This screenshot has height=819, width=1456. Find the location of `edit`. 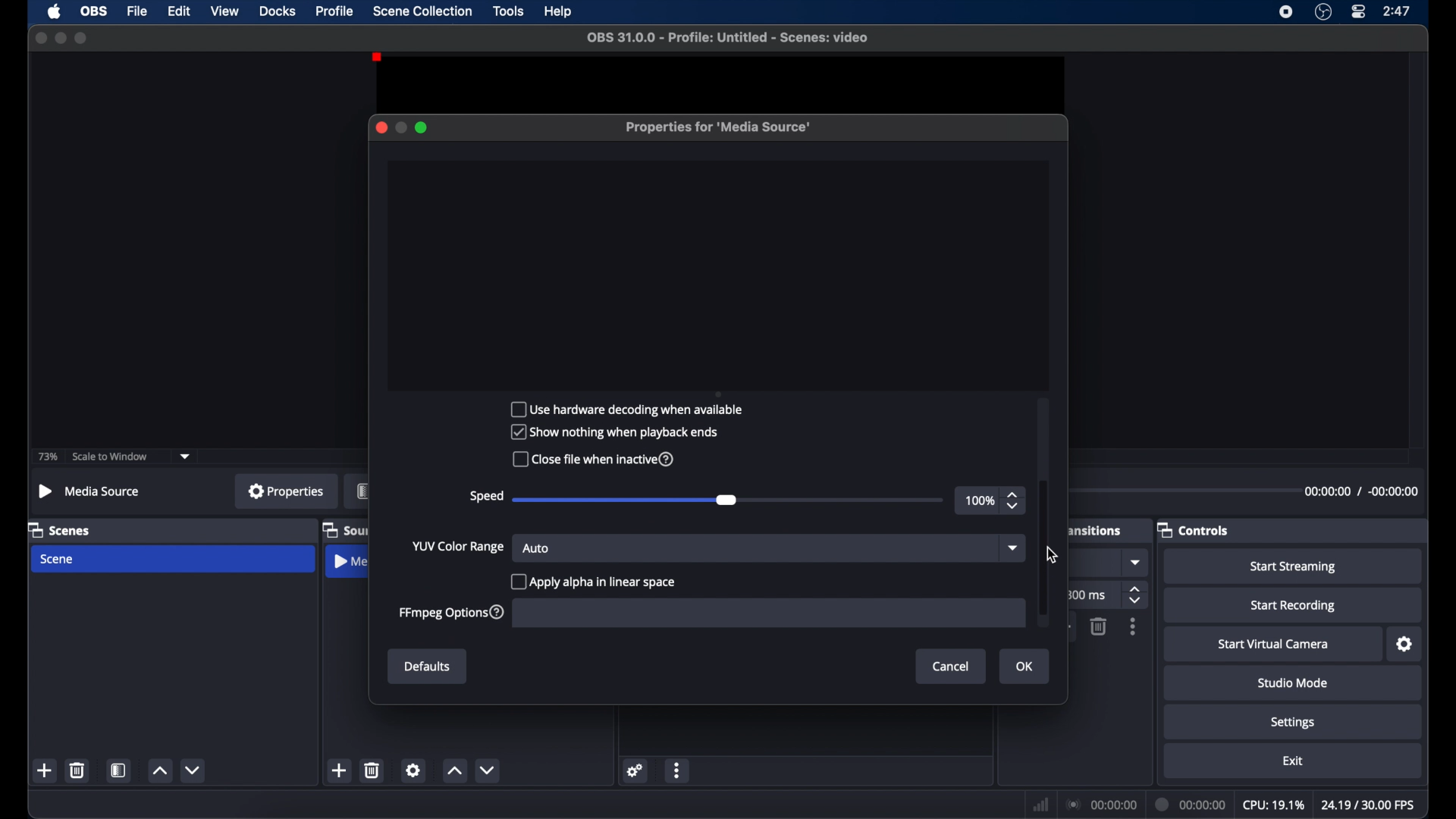

edit is located at coordinates (179, 11).